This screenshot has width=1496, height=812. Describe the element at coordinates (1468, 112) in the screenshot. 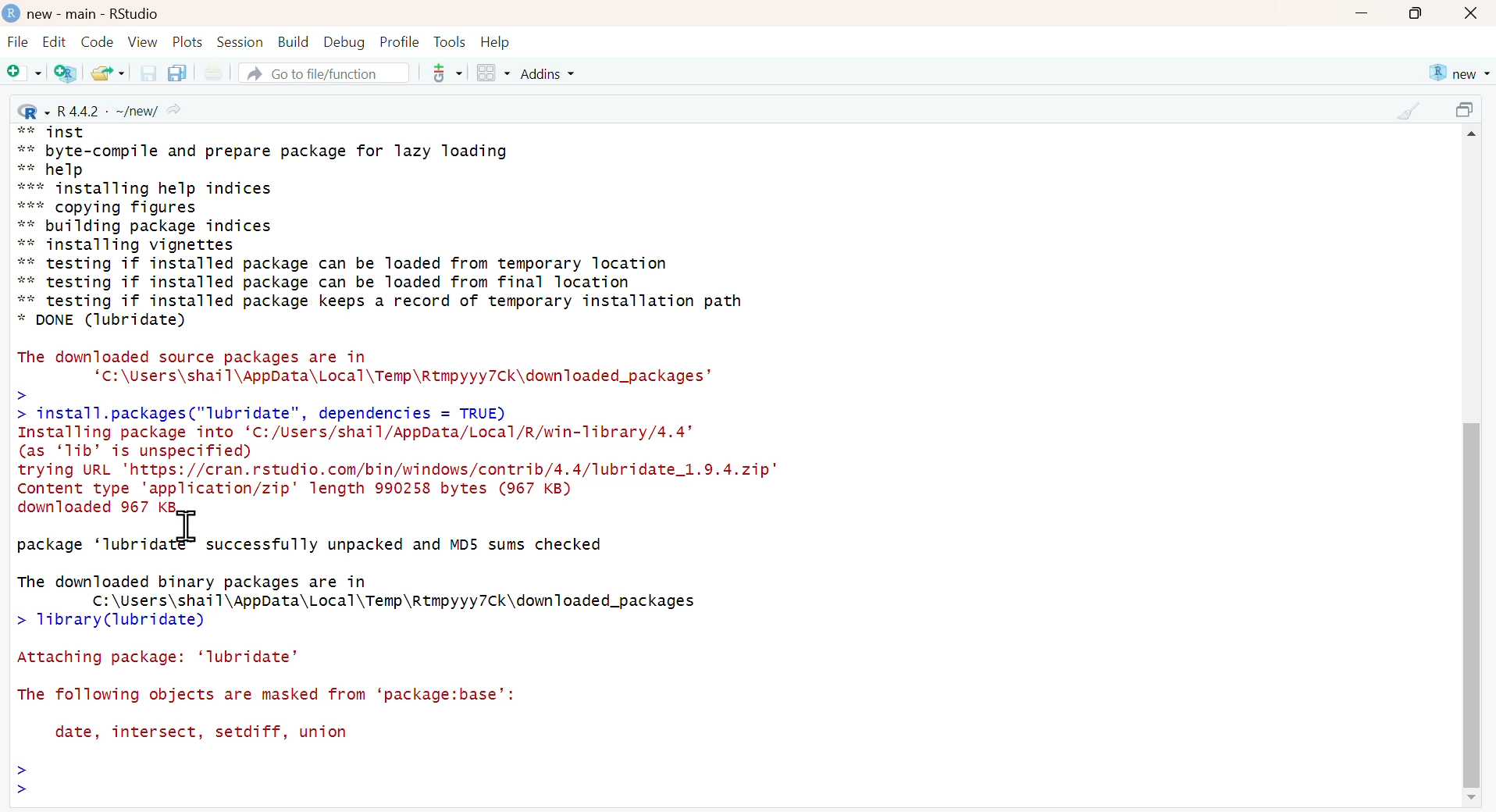

I see `maximize` at that location.